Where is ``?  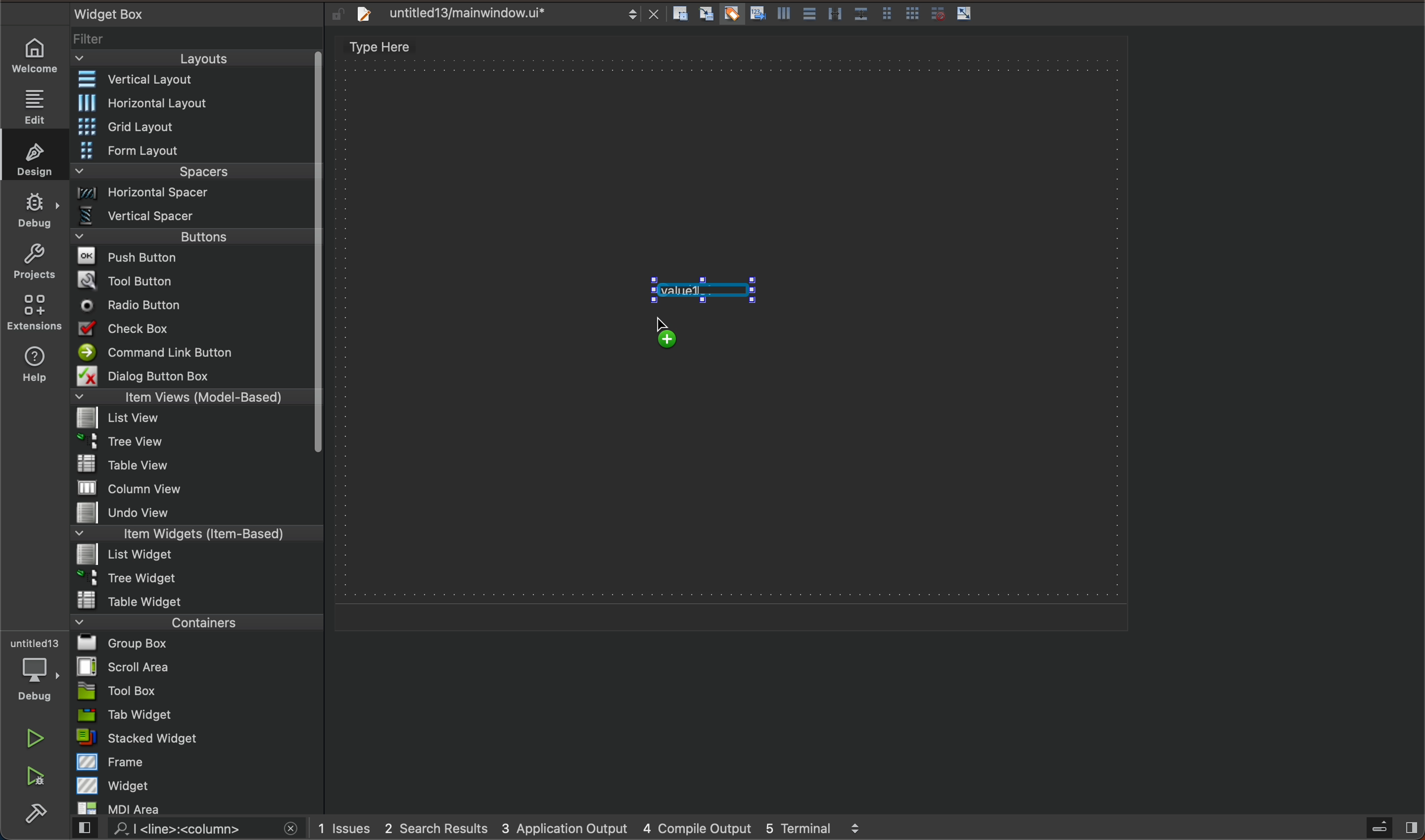
 is located at coordinates (200, 103).